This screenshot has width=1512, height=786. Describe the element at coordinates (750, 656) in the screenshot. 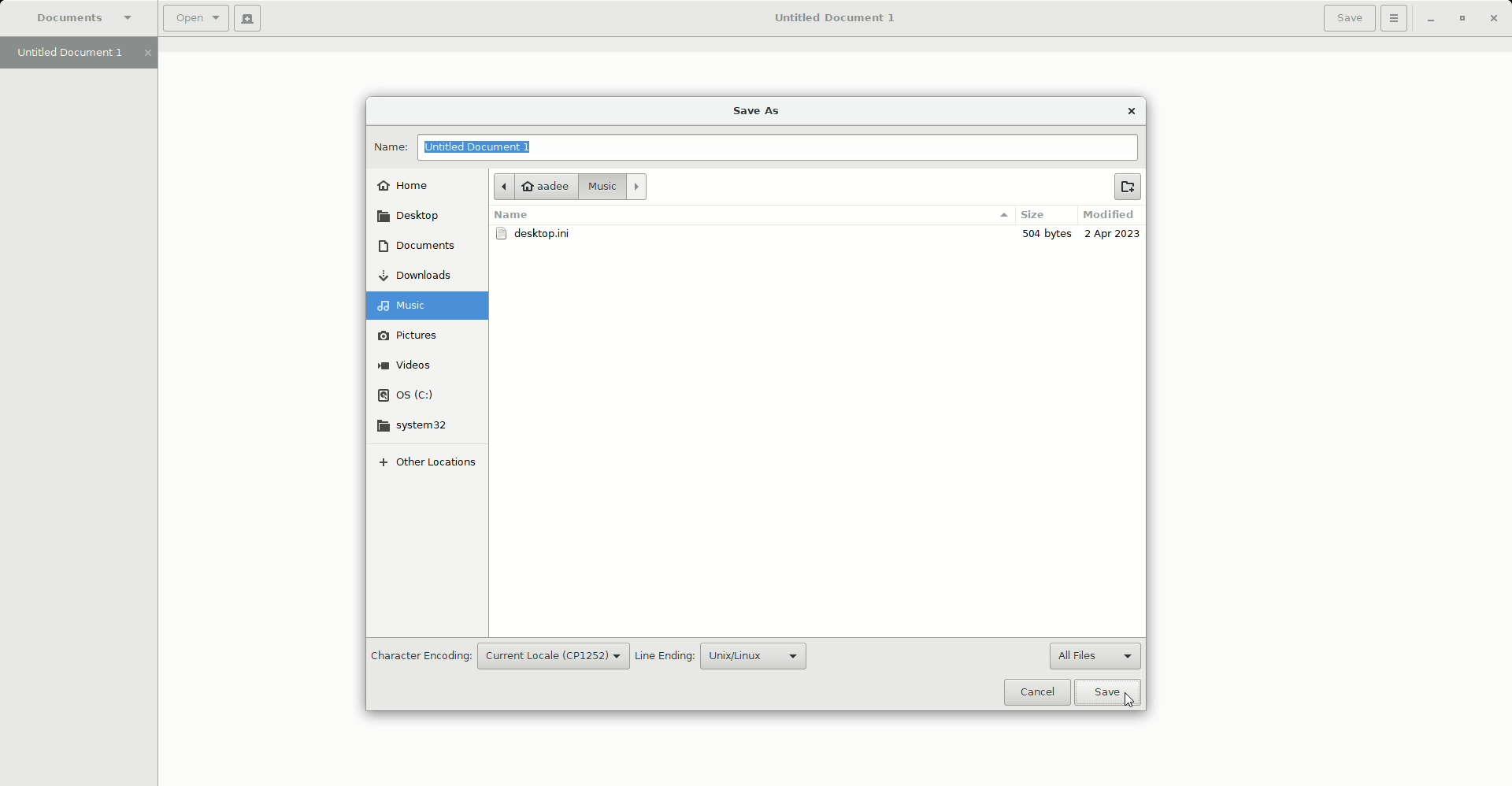

I see `Unix` at that location.